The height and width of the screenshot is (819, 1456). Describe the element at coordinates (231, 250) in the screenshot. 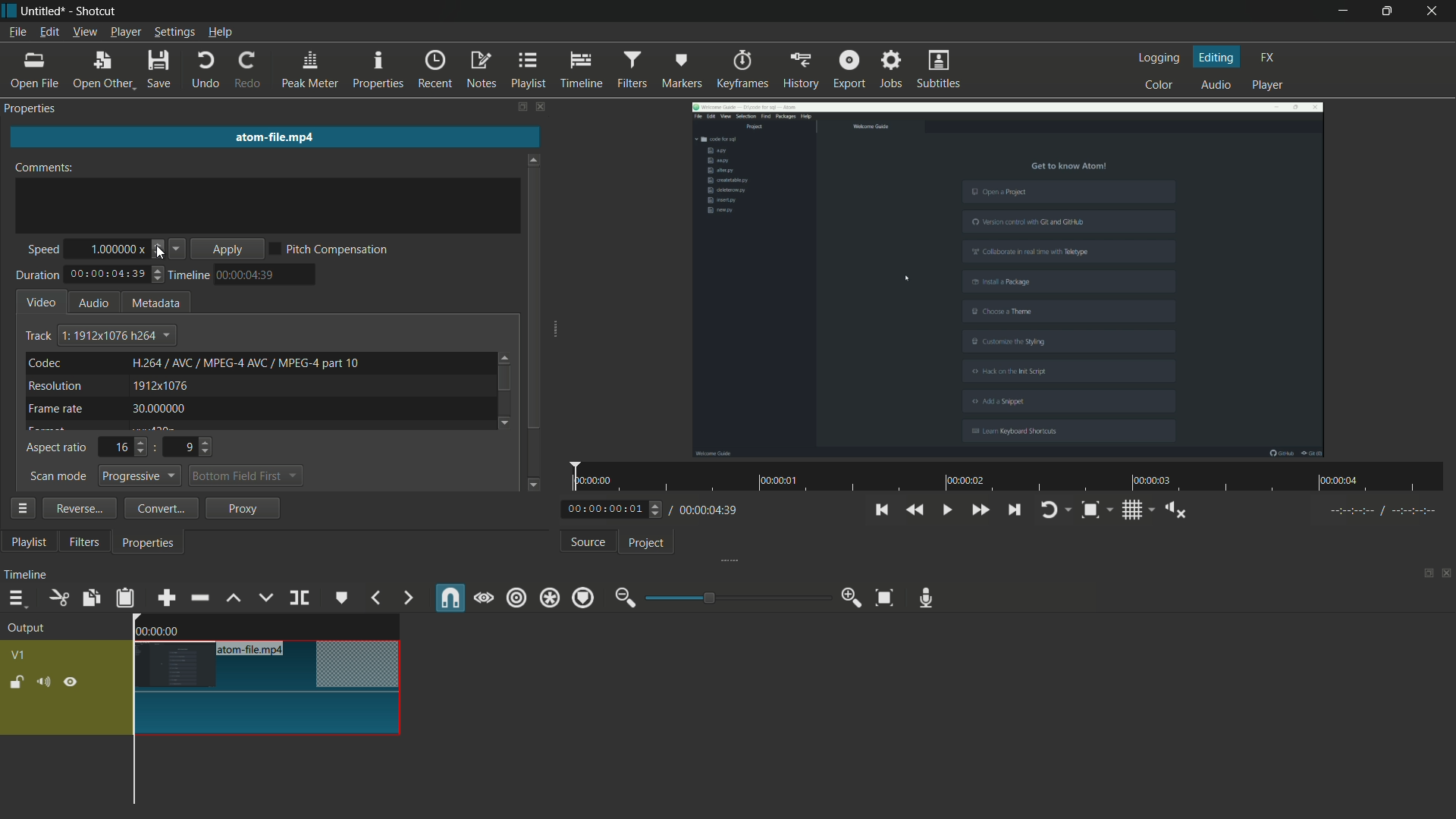

I see `apply` at that location.